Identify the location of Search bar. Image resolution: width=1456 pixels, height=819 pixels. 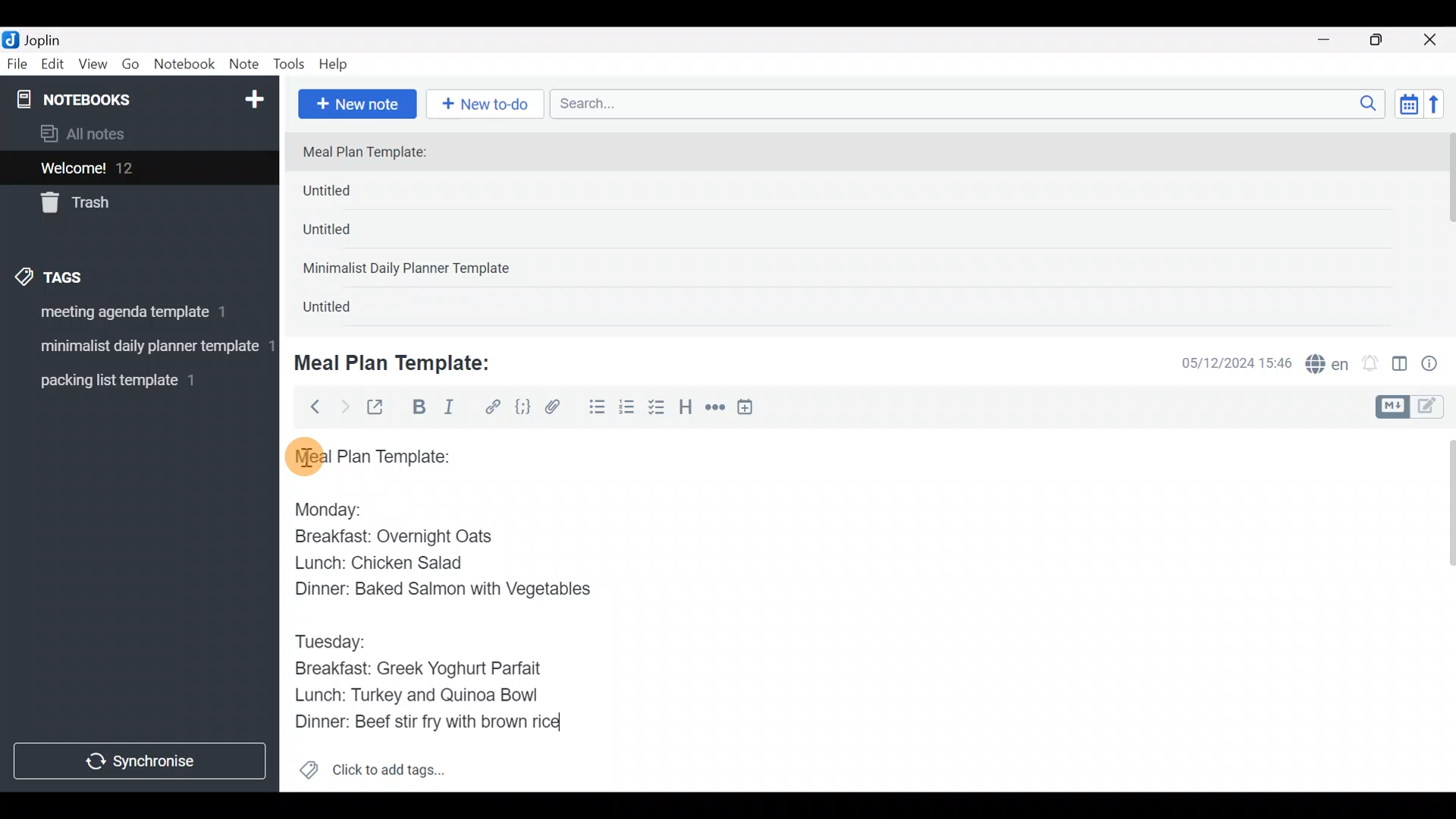
(971, 102).